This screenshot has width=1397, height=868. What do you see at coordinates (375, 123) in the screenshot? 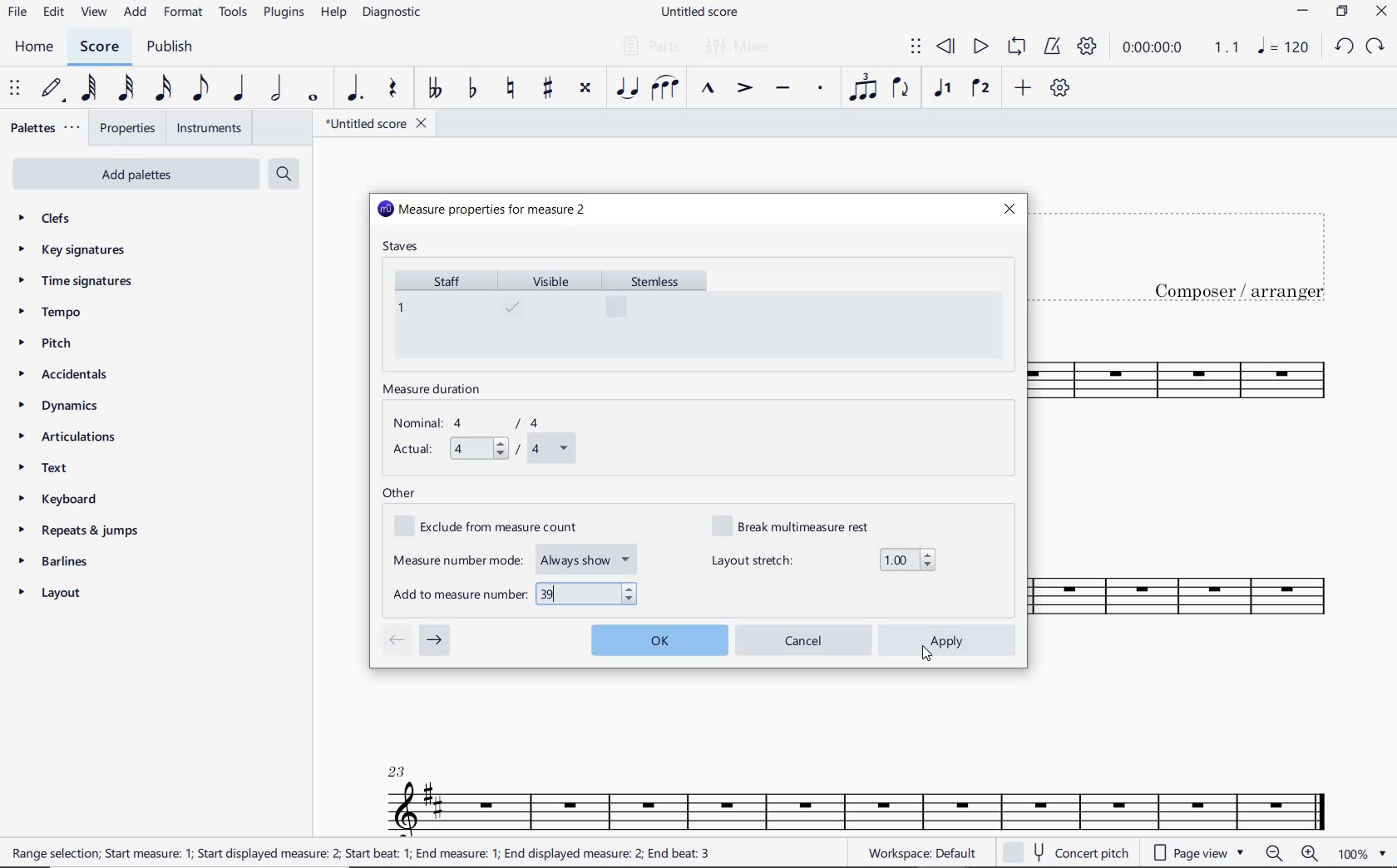
I see `FILE NAME` at bounding box center [375, 123].